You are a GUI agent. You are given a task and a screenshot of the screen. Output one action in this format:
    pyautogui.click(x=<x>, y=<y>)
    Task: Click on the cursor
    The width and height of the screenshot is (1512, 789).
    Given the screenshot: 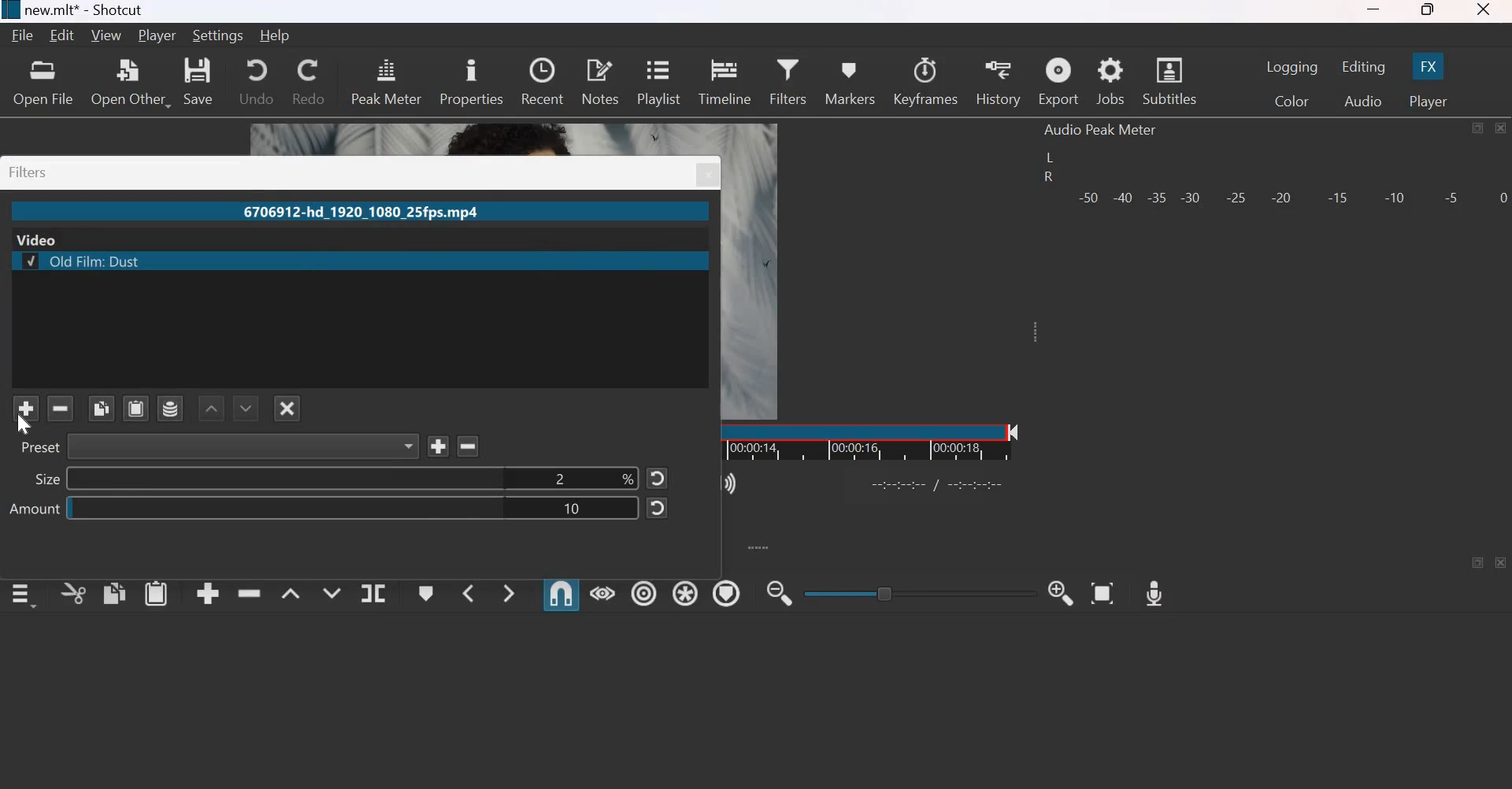 What is the action you would take?
    pyautogui.click(x=33, y=430)
    